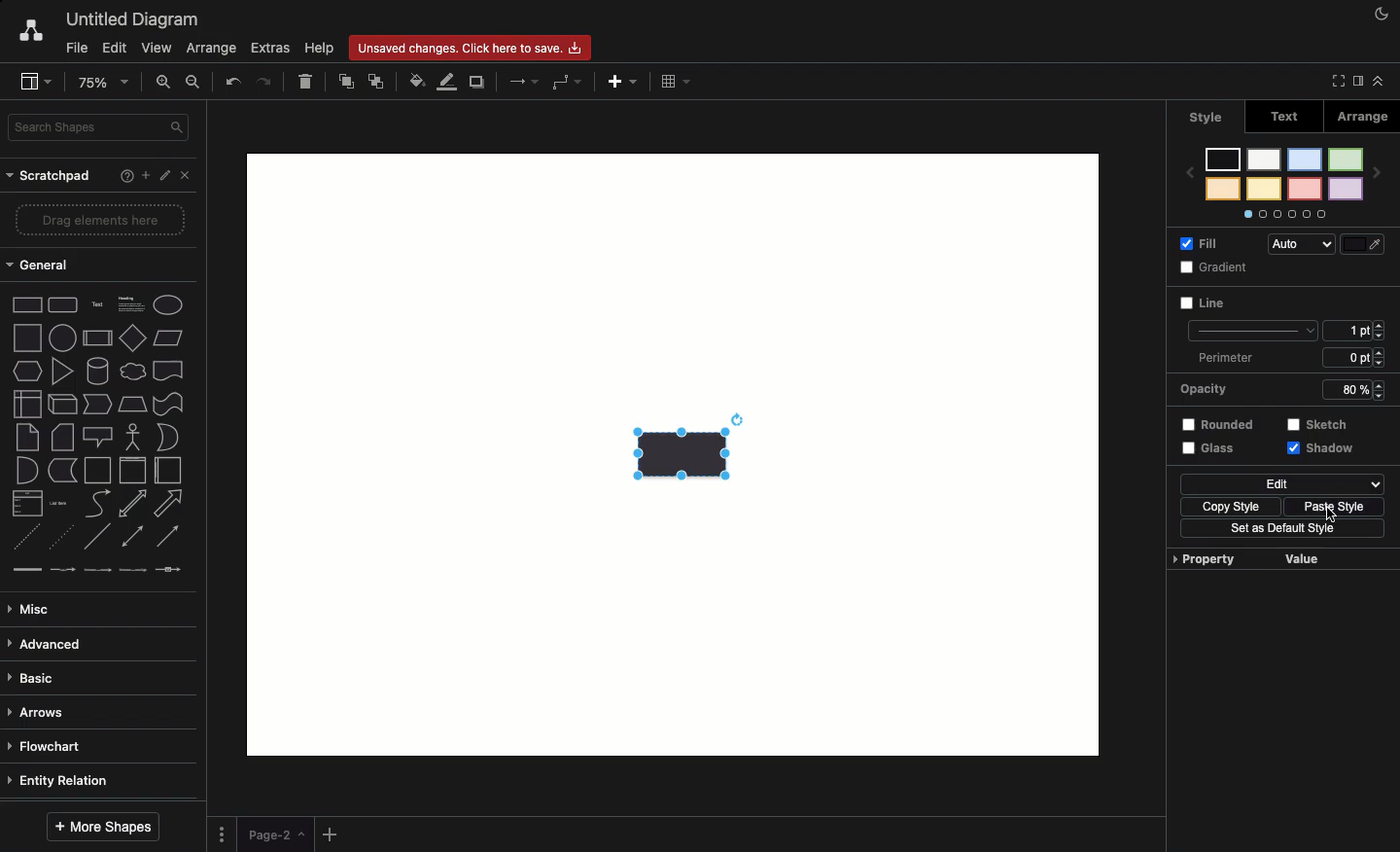  I want to click on Parallelogram, so click(166, 337).